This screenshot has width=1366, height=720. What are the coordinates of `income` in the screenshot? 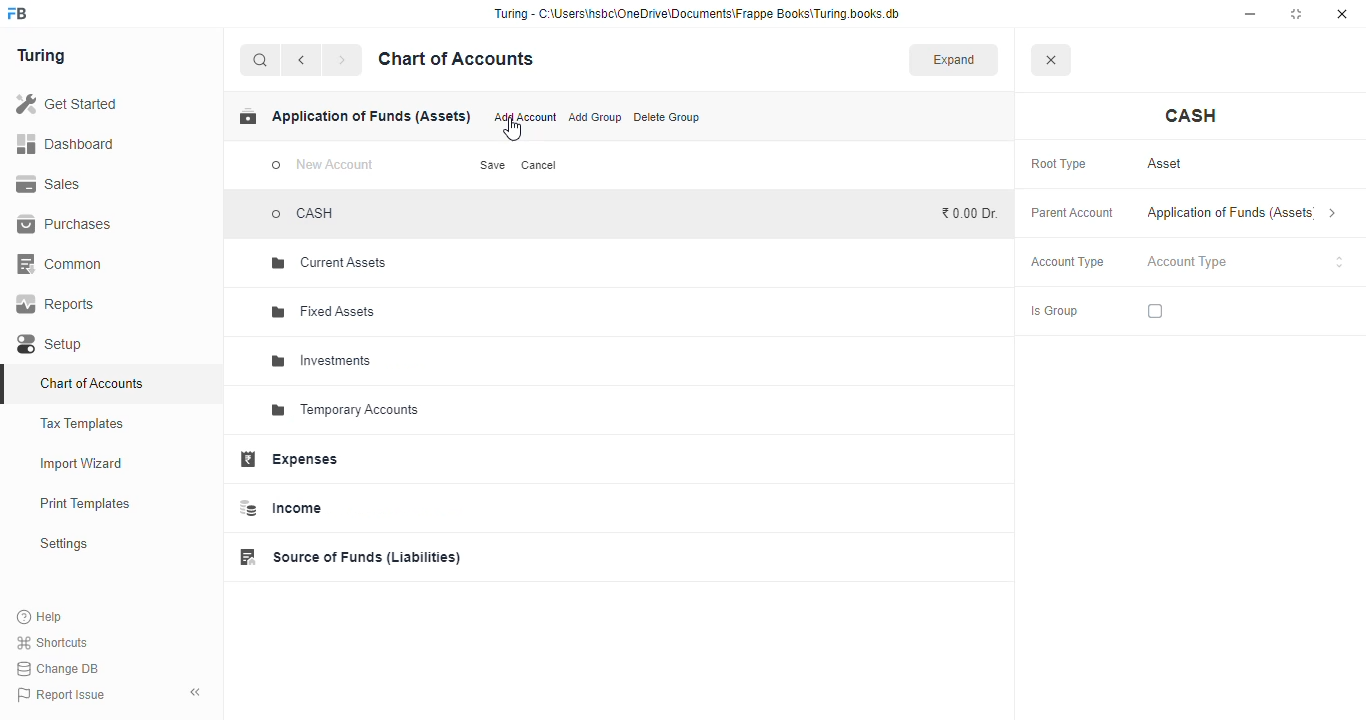 It's located at (279, 508).